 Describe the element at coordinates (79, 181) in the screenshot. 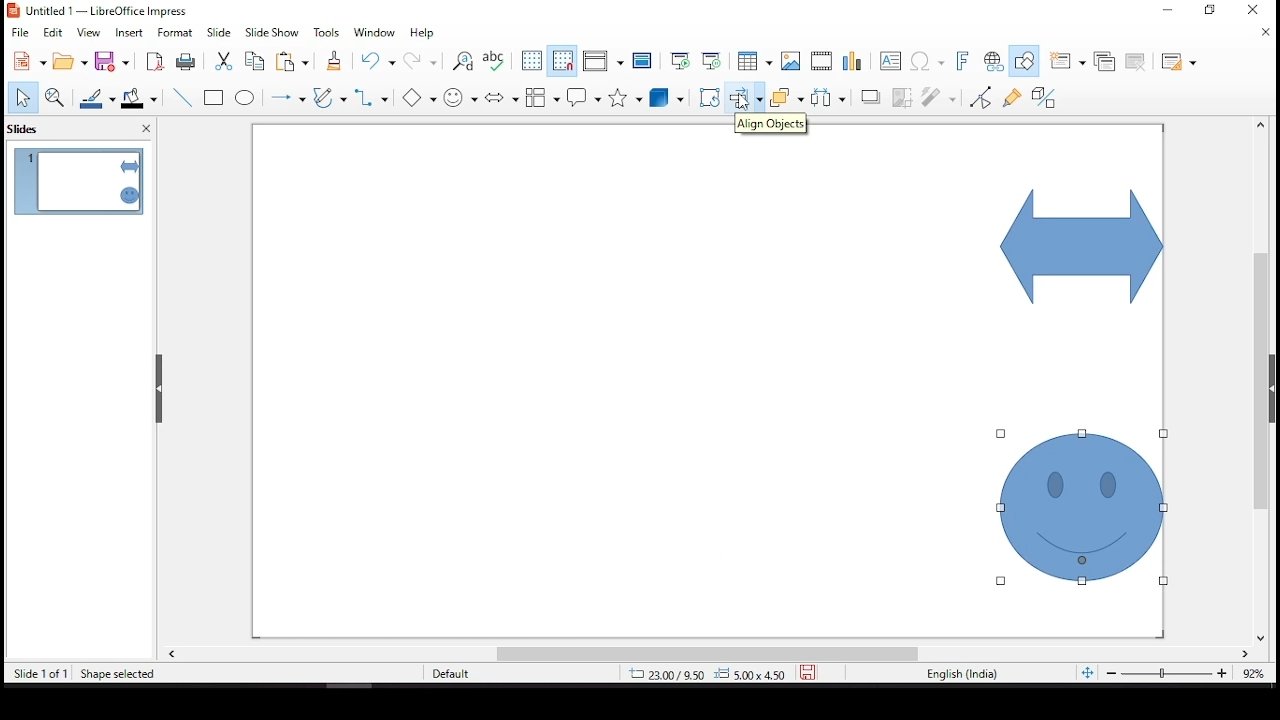

I see `slide 1` at that location.